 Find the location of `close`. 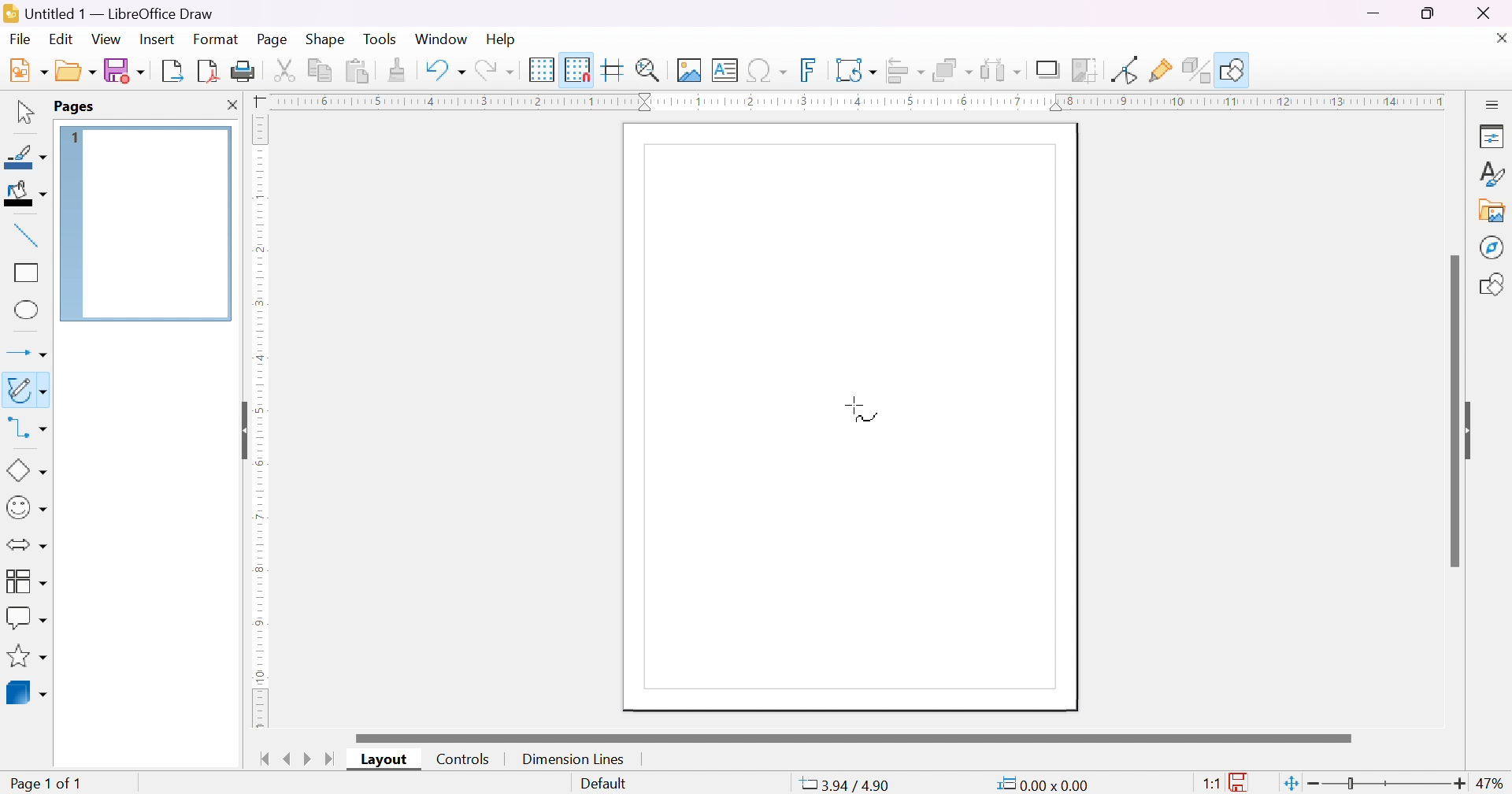

close is located at coordinates (1482, 11).